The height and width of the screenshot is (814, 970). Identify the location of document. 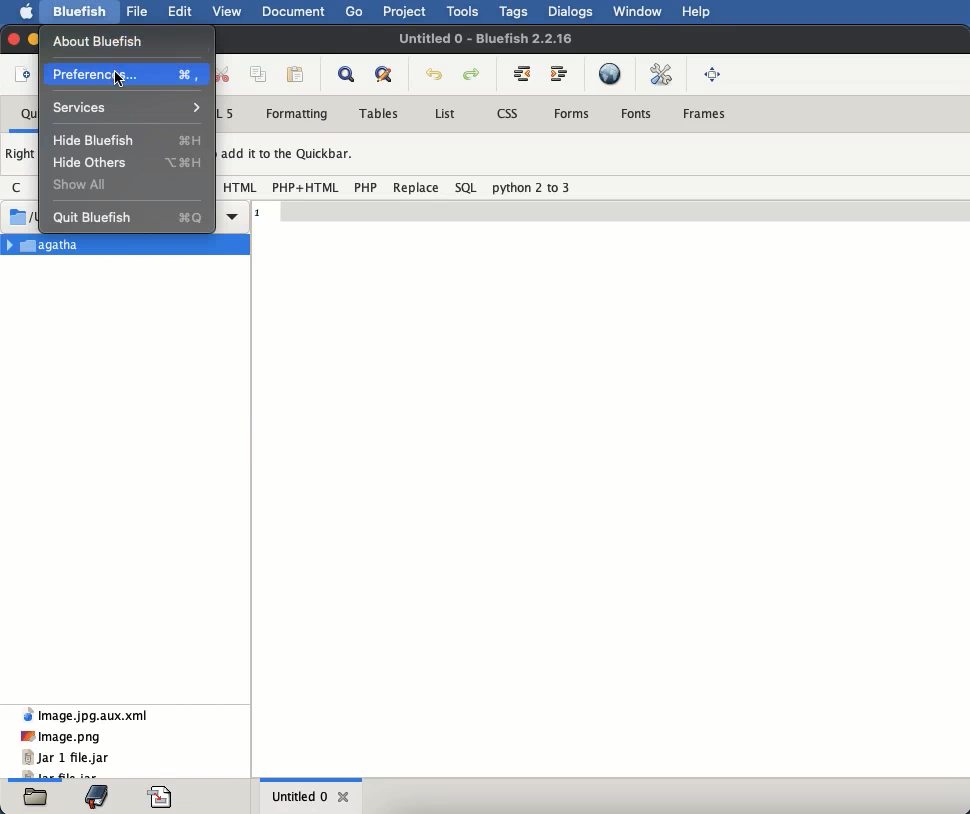
(295, 14).